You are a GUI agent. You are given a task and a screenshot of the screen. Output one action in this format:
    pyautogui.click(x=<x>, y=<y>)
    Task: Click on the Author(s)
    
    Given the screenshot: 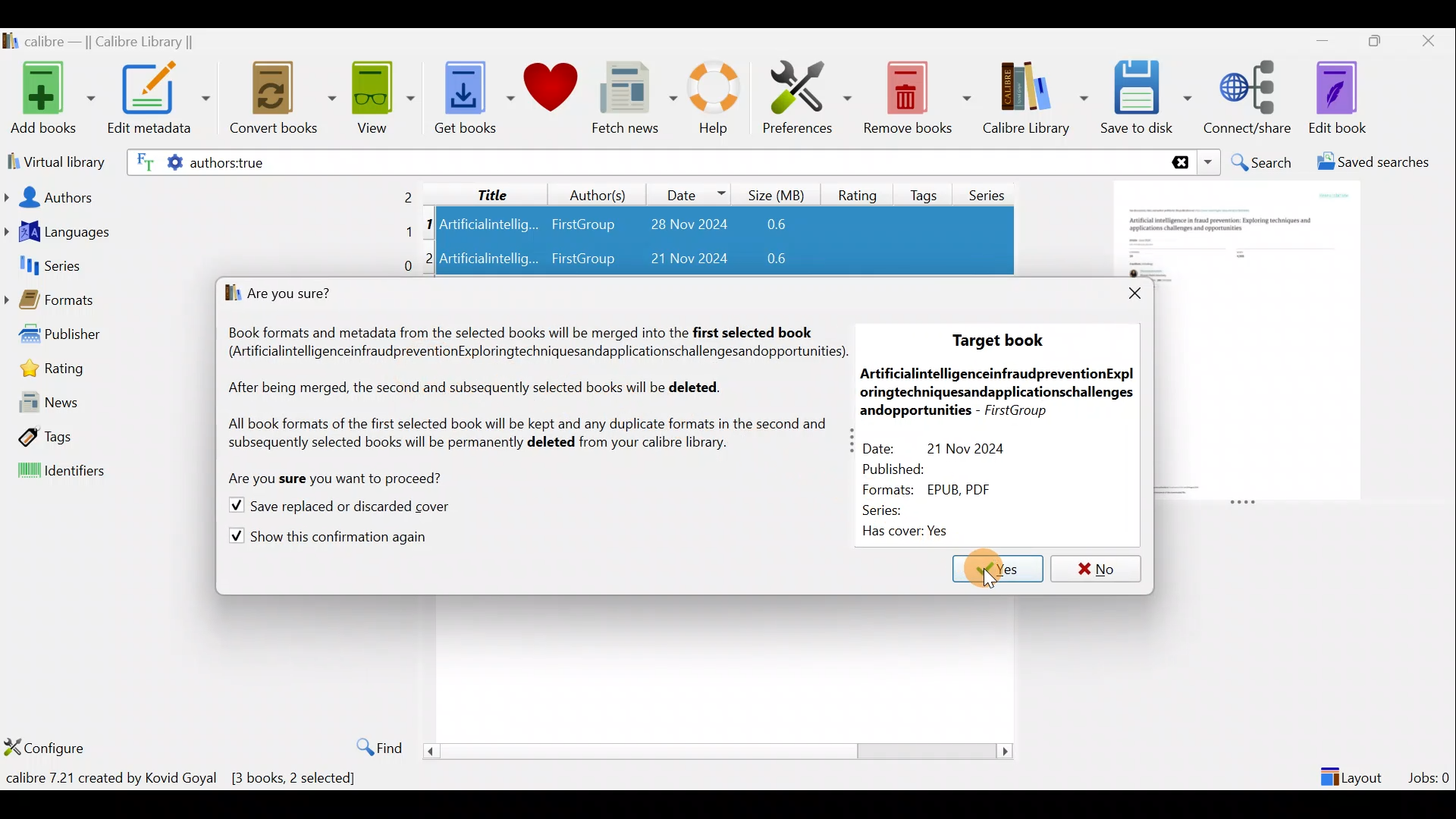 What is the action you would take?
    pyautogui.click(x=591, y=191)
    